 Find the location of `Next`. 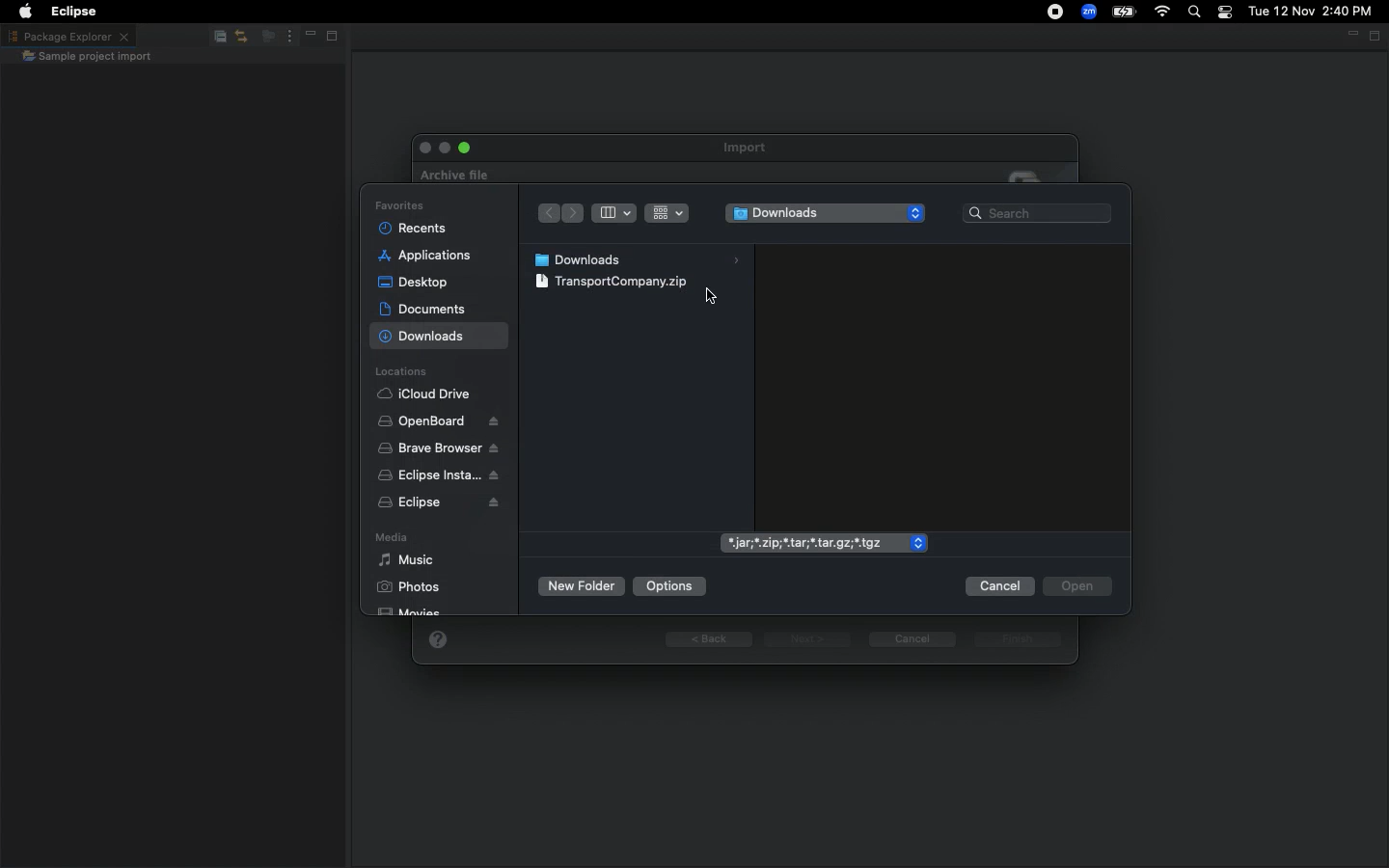

Next is located at coordinates (807, 639).